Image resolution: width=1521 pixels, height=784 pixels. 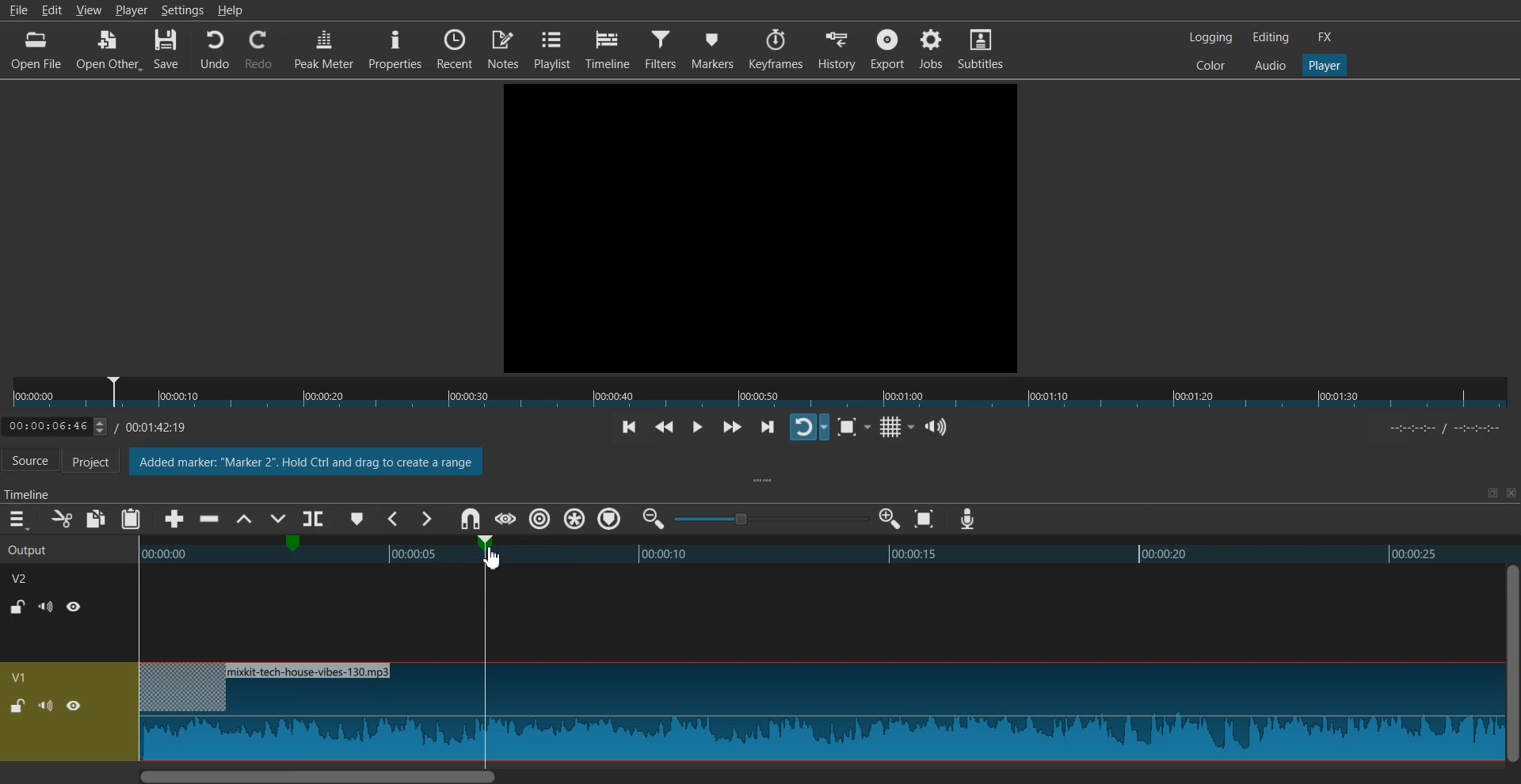 What do you see at coordinates (455, 48) in the screenshot?
I see `Recent` at bounding box center [455, 48].